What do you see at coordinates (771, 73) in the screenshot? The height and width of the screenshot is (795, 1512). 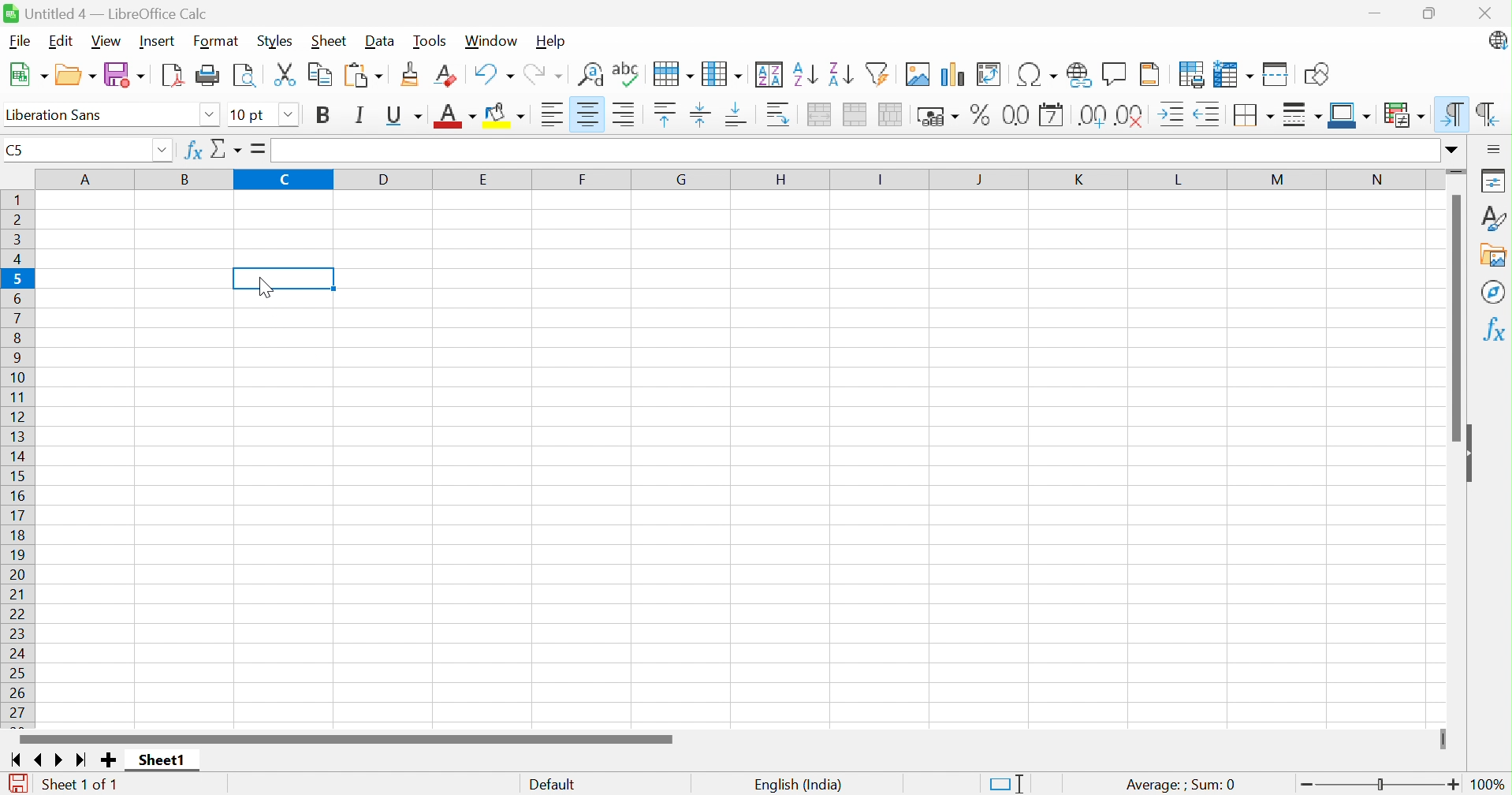 I see `Sort` at bounding box center [771, 73].